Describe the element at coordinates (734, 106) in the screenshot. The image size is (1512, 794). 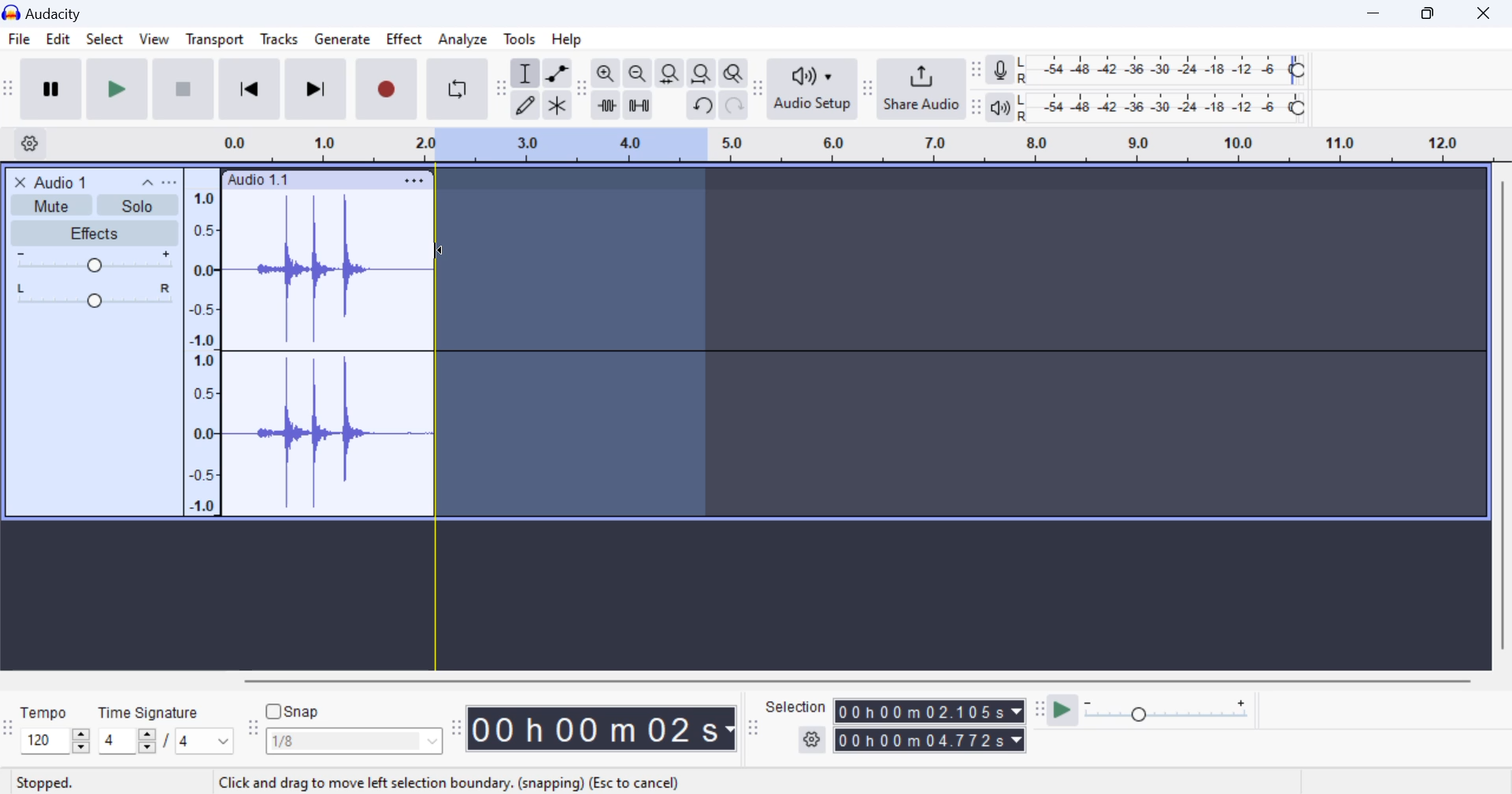
I see `redo` at that location.